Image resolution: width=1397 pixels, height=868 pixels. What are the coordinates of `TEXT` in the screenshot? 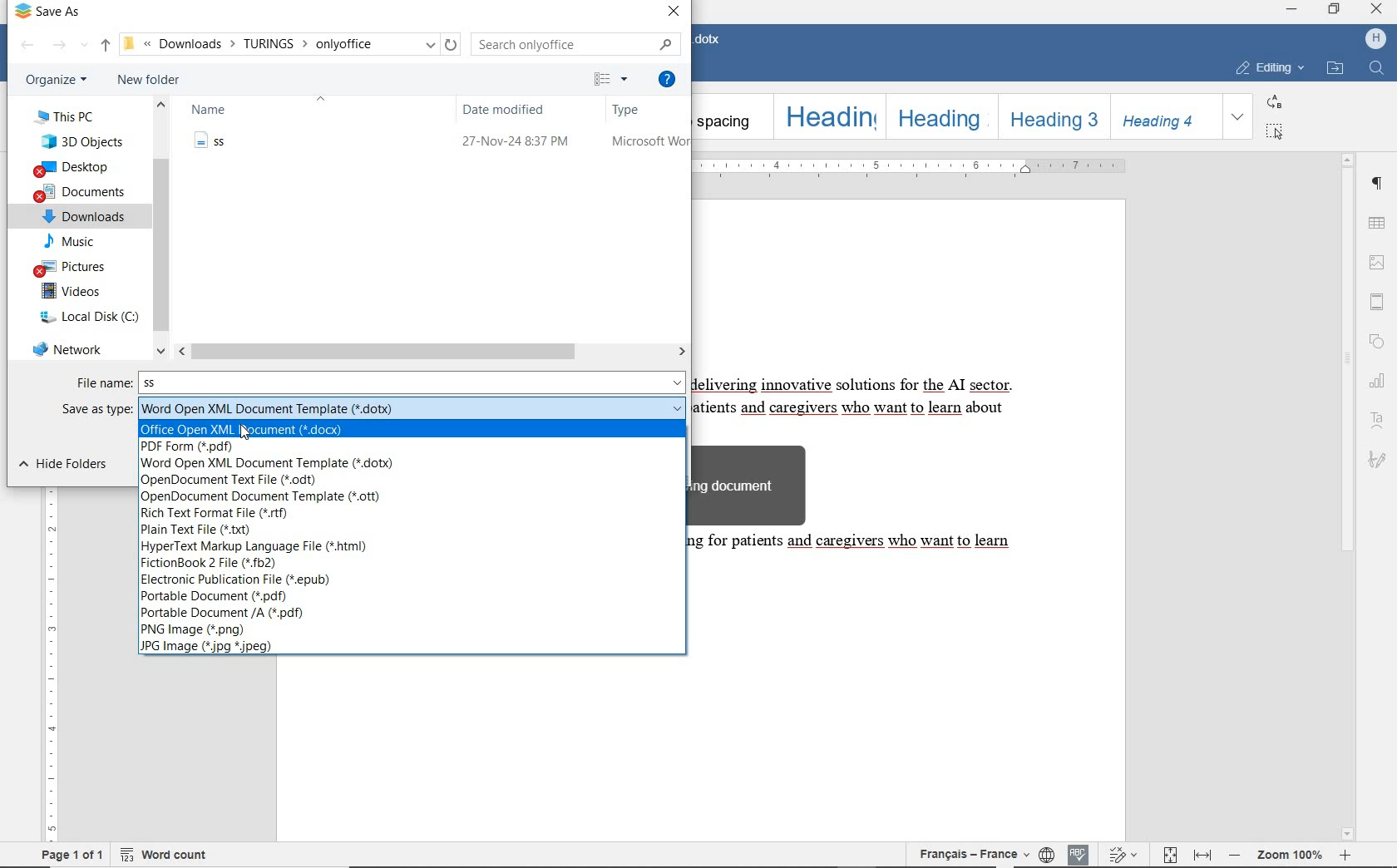 It's located at (870, 501).